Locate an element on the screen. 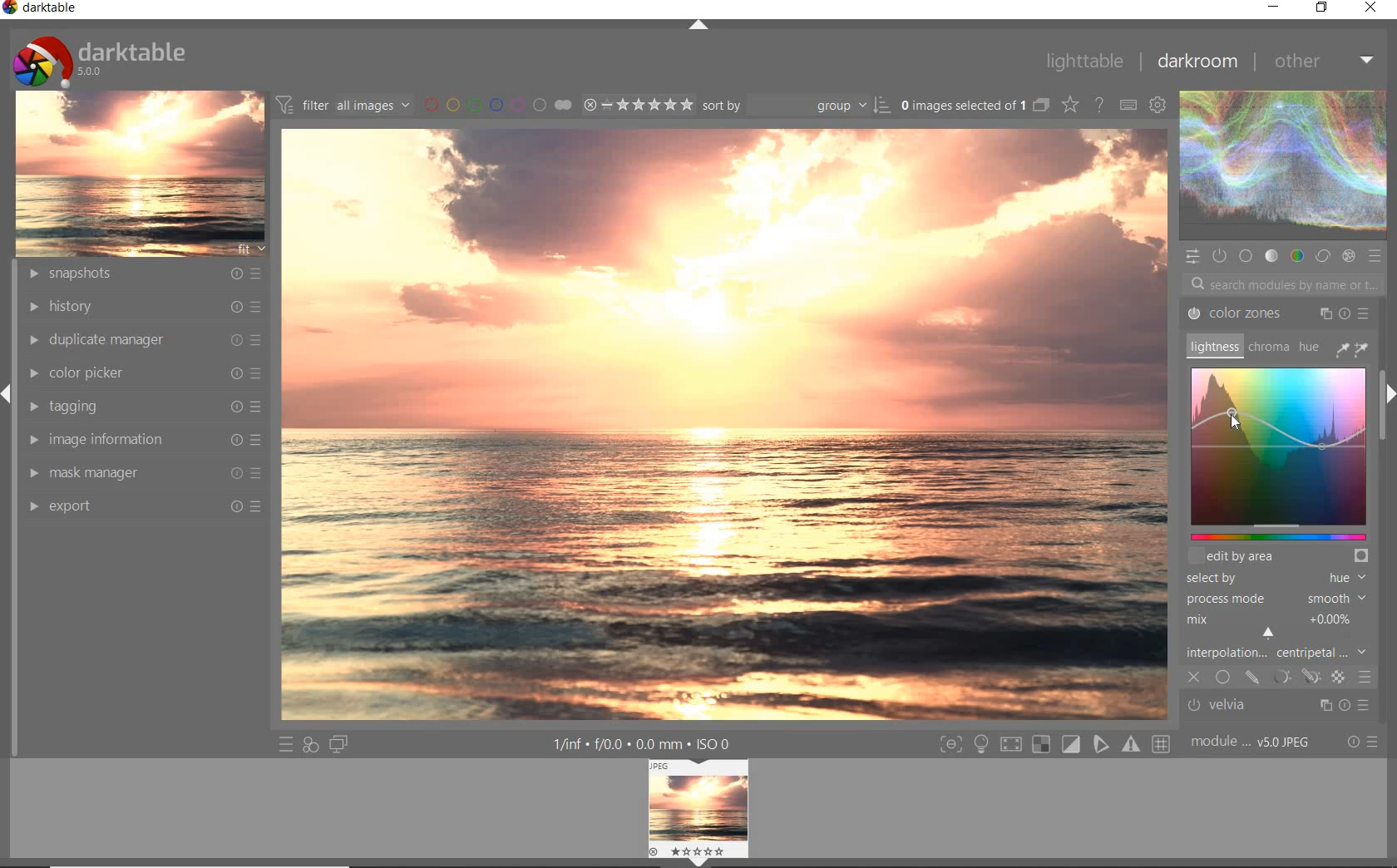 This screenshot has height=868, width=1397. QUICK ACCESS PANEL is located at coordinates (1194, 255).